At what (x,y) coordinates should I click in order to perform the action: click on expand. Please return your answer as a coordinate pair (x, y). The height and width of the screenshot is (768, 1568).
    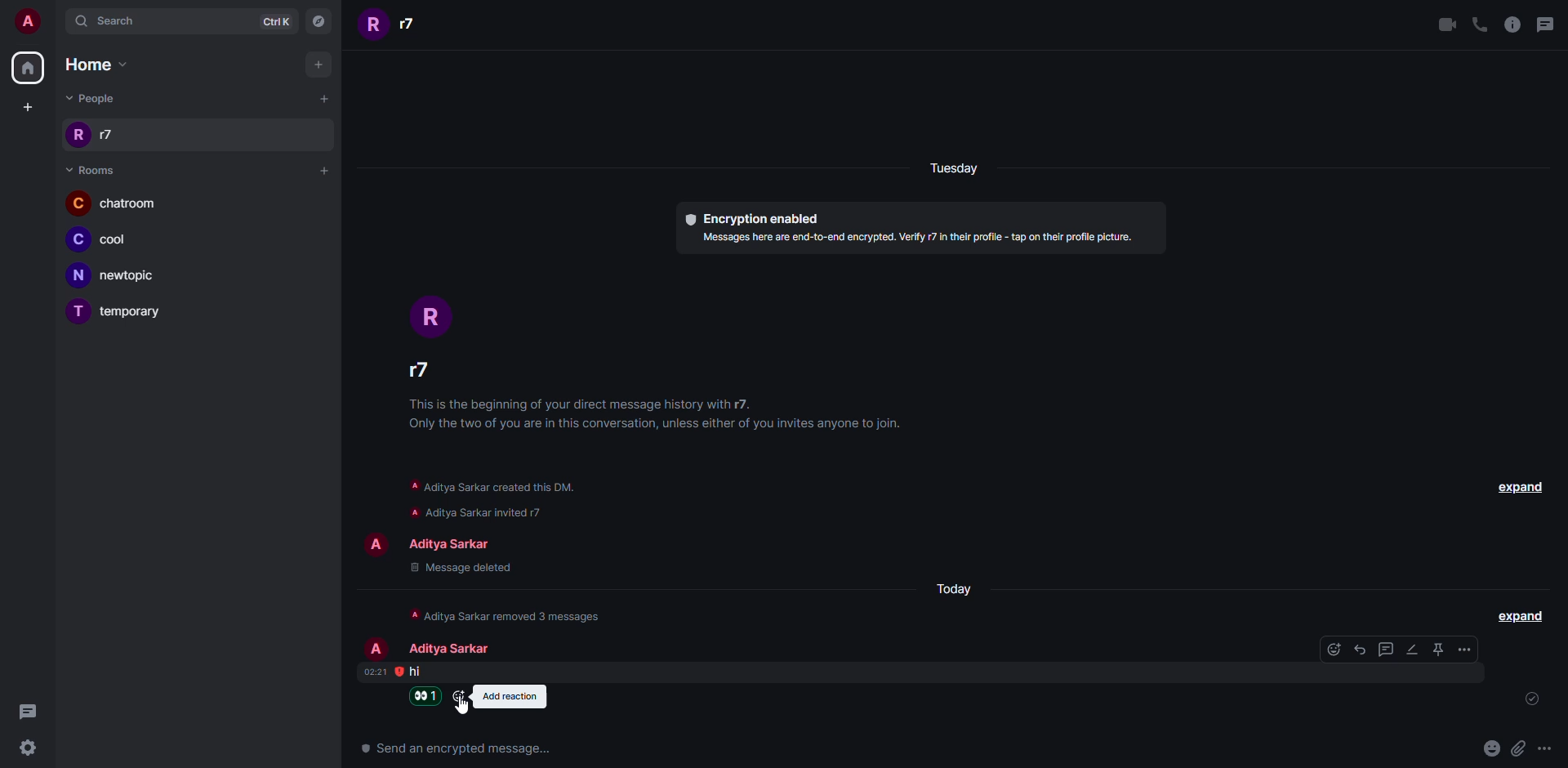
    Looking at the image, I should click on (1521, 616).